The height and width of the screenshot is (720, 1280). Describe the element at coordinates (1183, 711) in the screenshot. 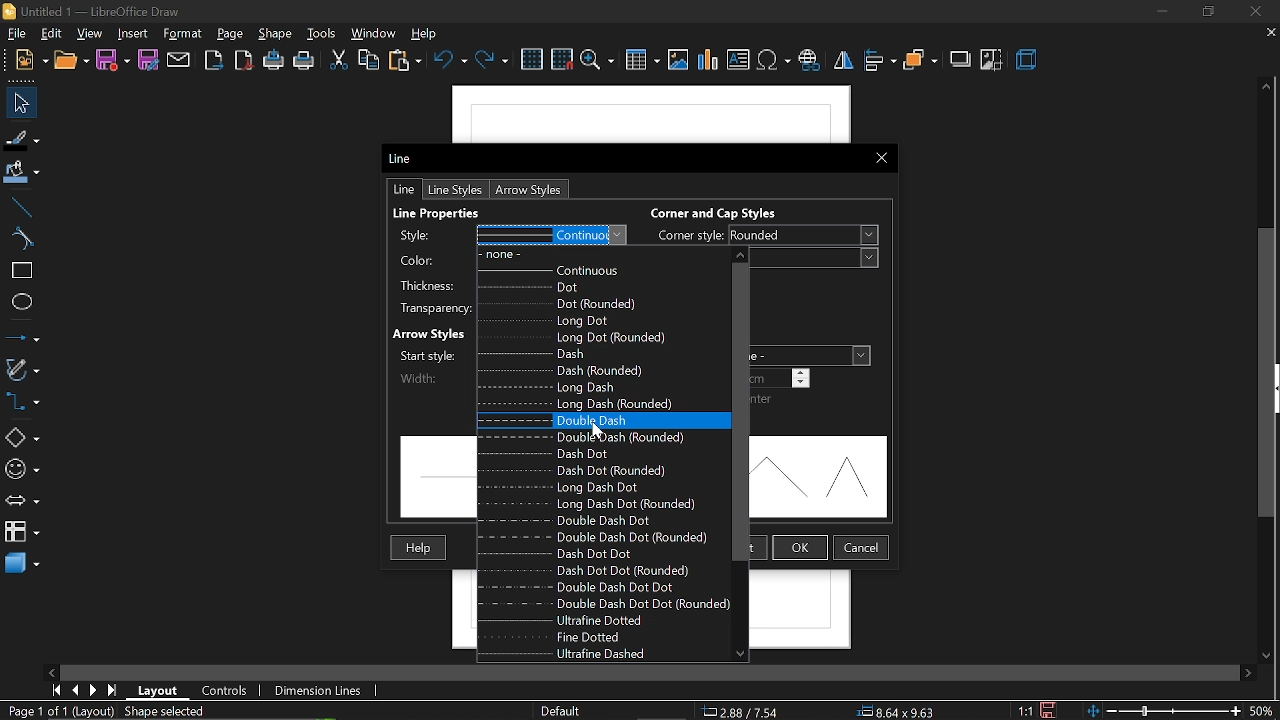

I see `zoom change` at that location.